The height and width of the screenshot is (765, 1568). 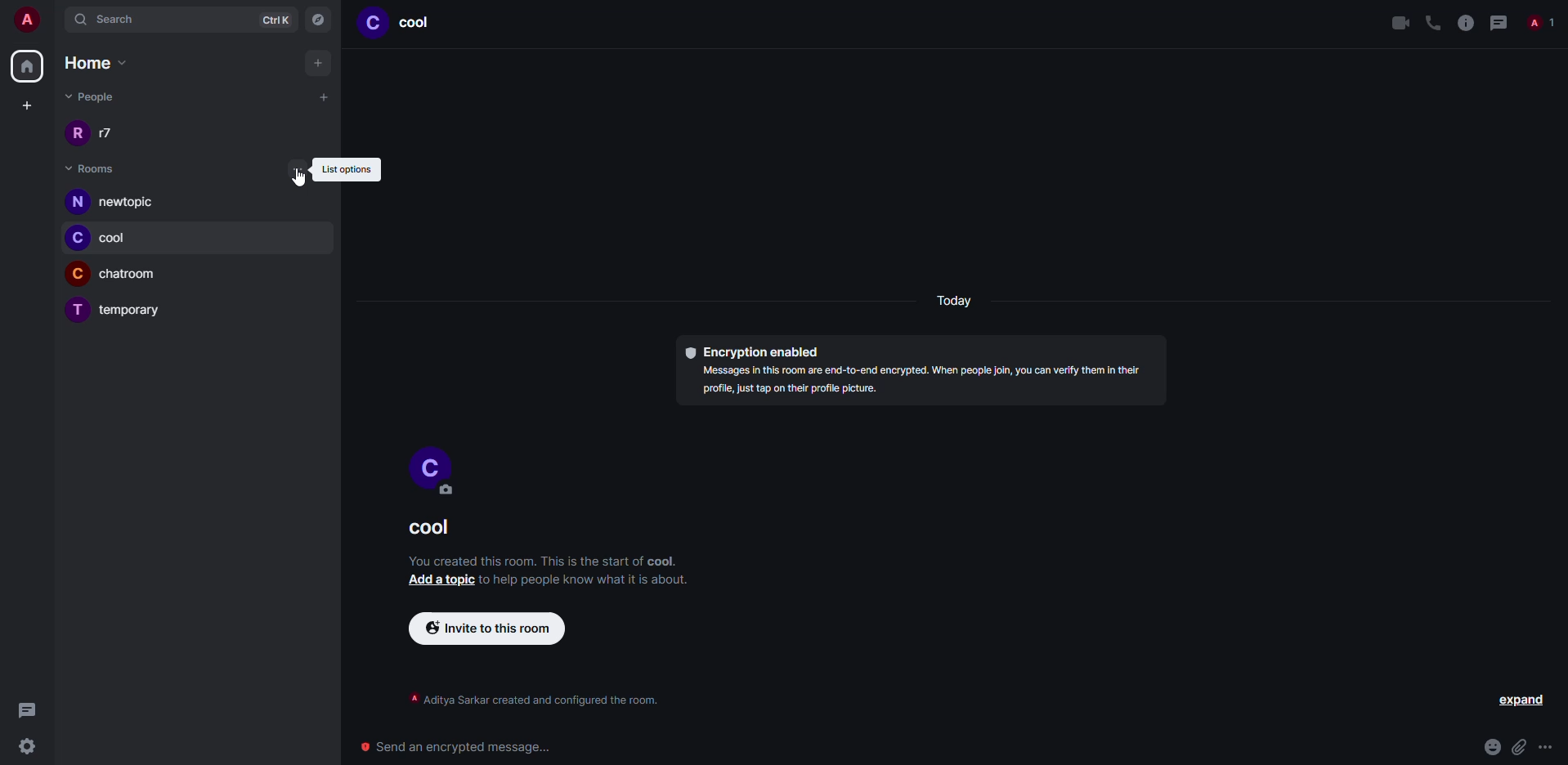 What do you see at coordinates (76, 134) in the screenshot?
I see `profile` at bounding box center [76, 134].